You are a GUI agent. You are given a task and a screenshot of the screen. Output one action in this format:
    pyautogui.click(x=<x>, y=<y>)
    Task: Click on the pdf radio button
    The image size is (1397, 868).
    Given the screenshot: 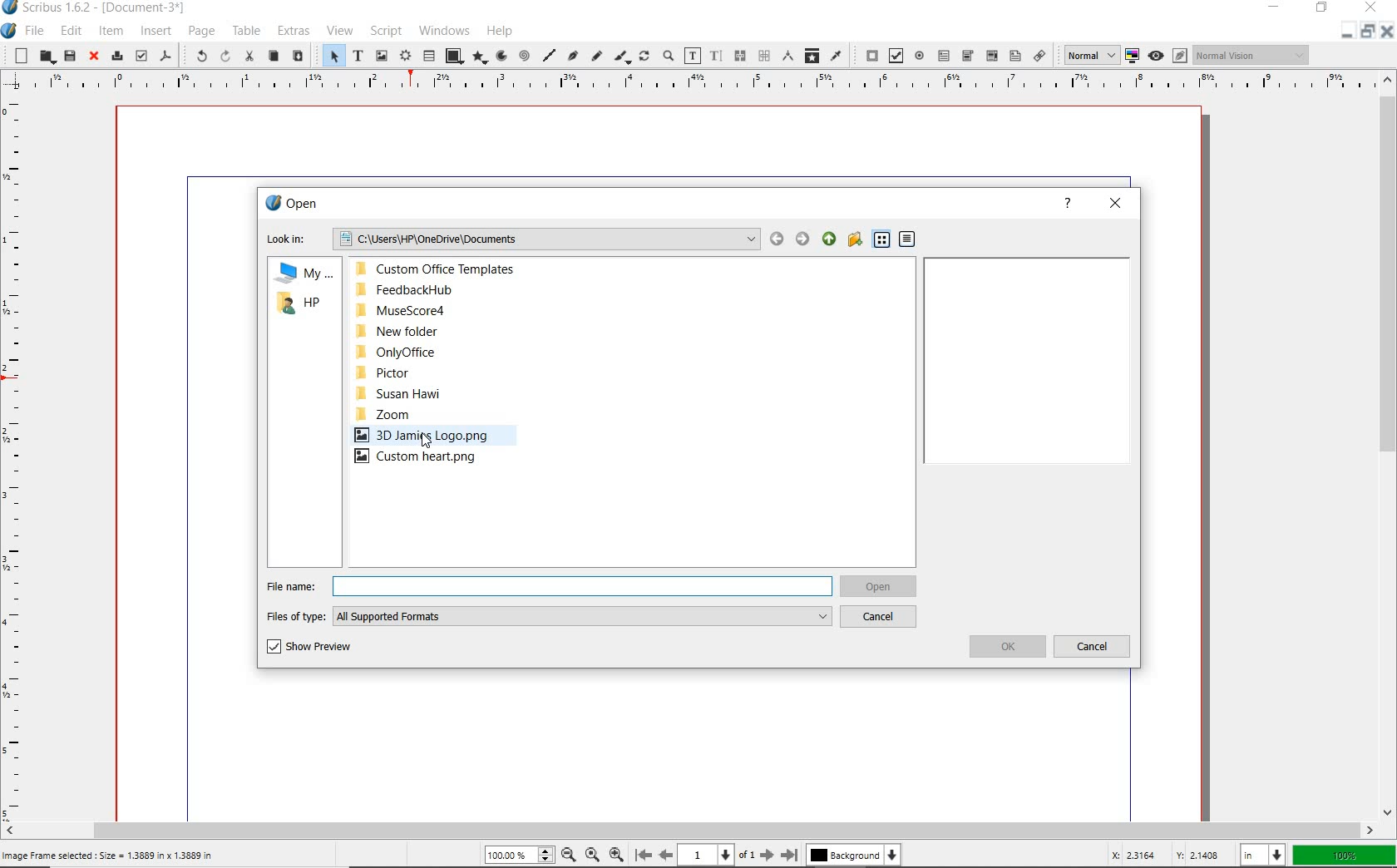 What is the action you would take?
    pyautogui.click(x=921, y=56)
    